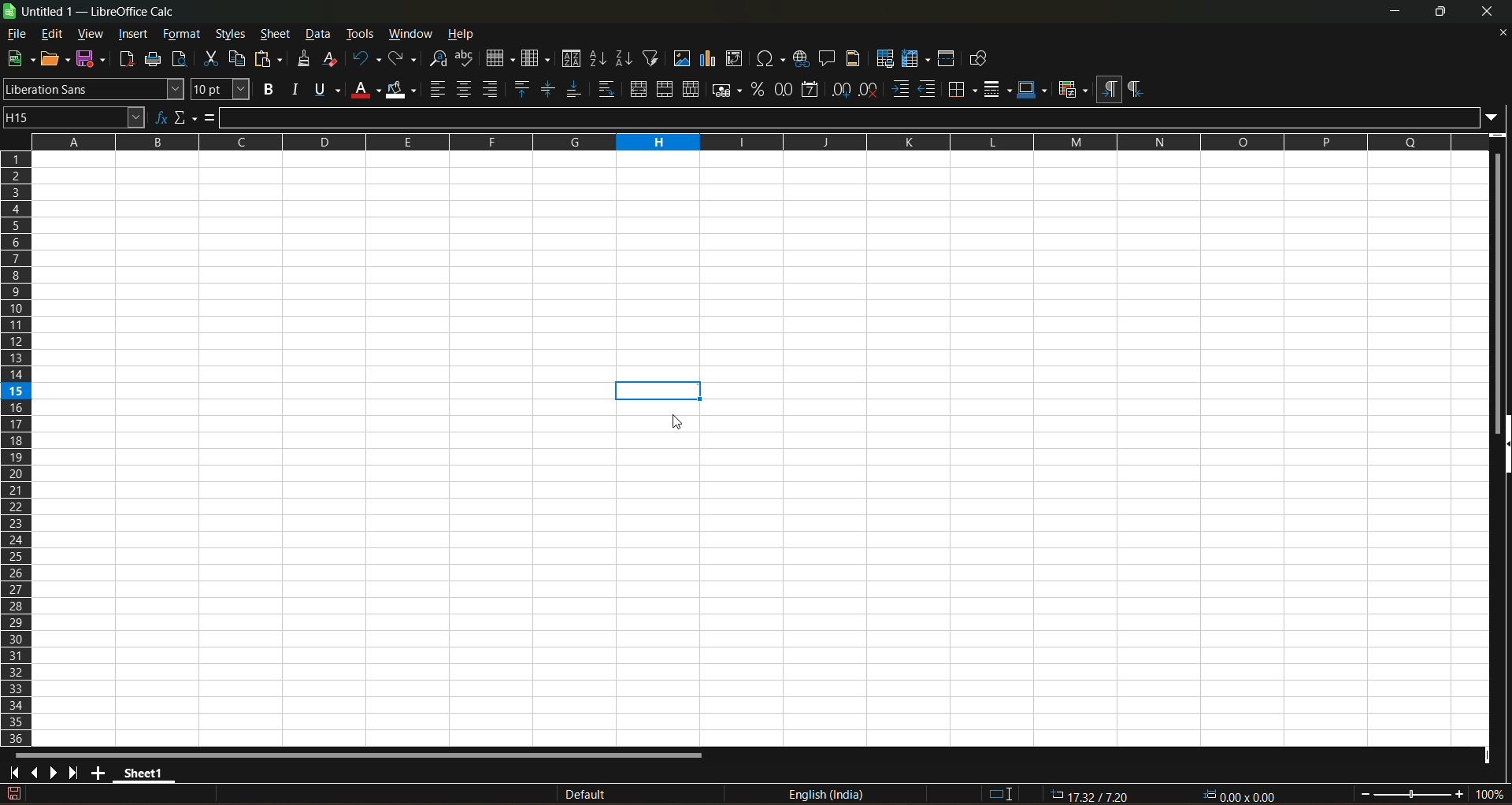 The image size is (1512, 805). What do you see at coordinates (947, 57) in the screenshot?
I see `split window` at bounding box center [947, 57].